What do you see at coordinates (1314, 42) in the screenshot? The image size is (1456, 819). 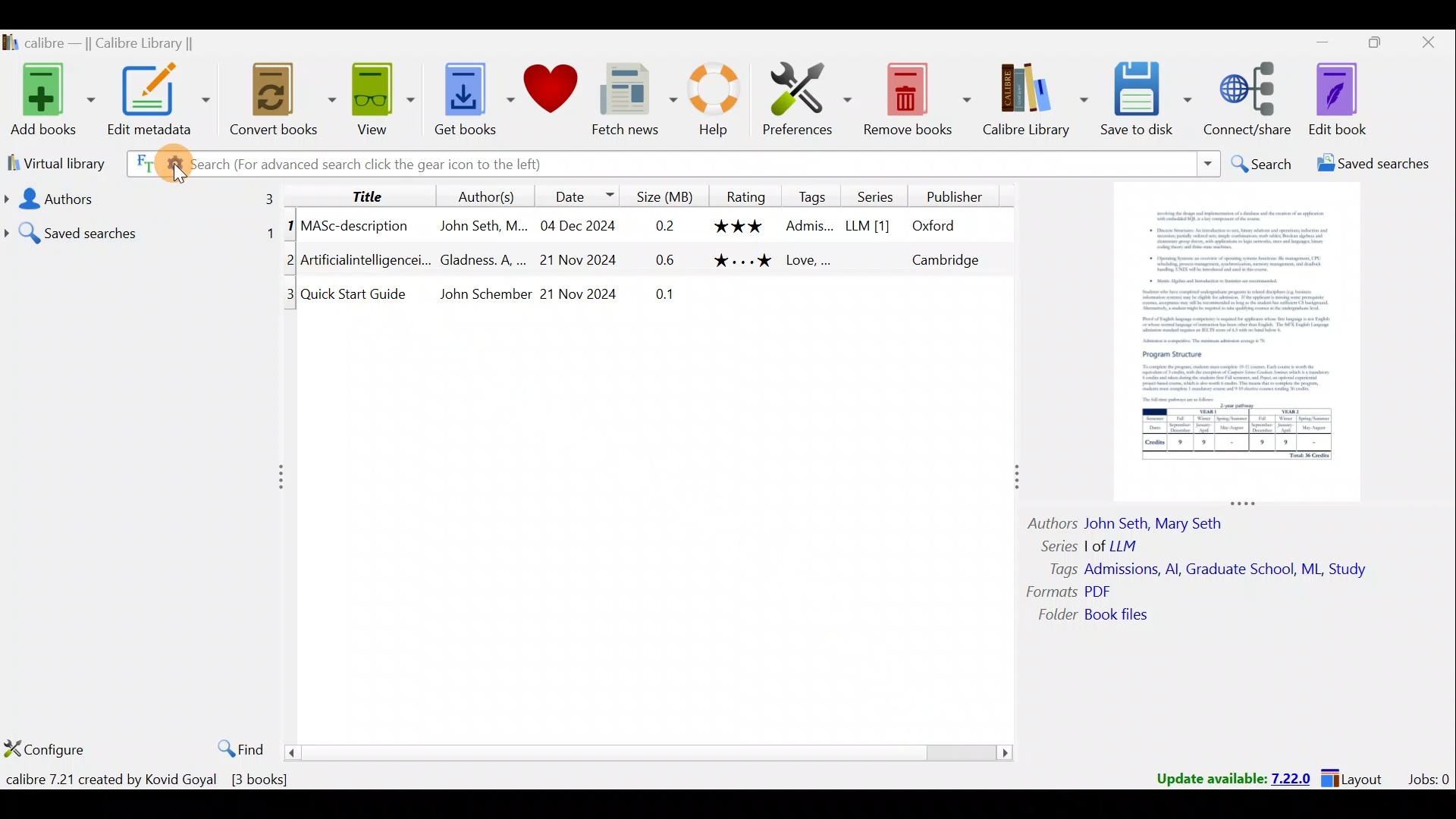 I see `Minimize` at bounding box center [1314, 42].